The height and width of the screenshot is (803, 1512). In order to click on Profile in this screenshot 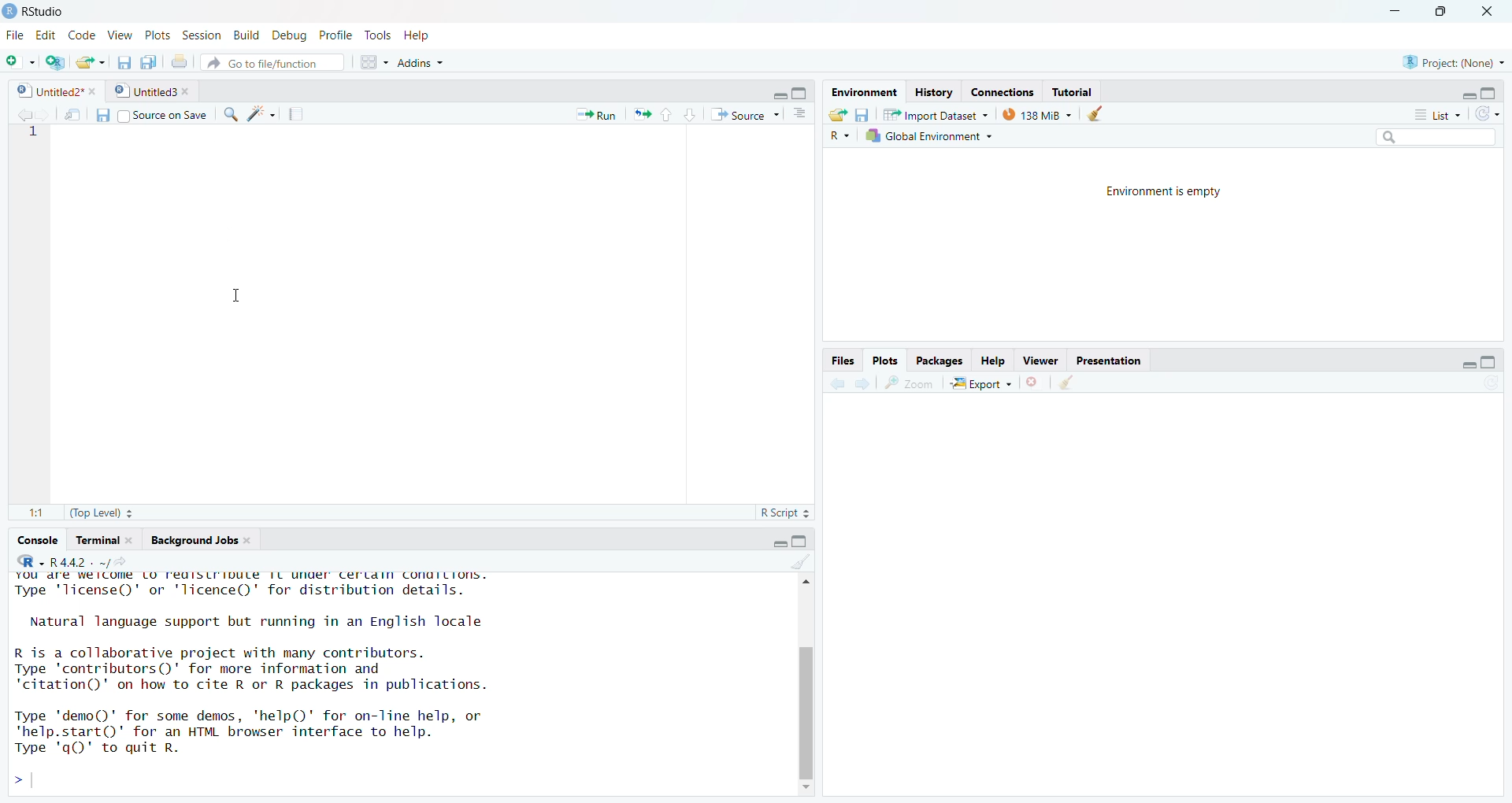, I will do `click(336, 32)`.